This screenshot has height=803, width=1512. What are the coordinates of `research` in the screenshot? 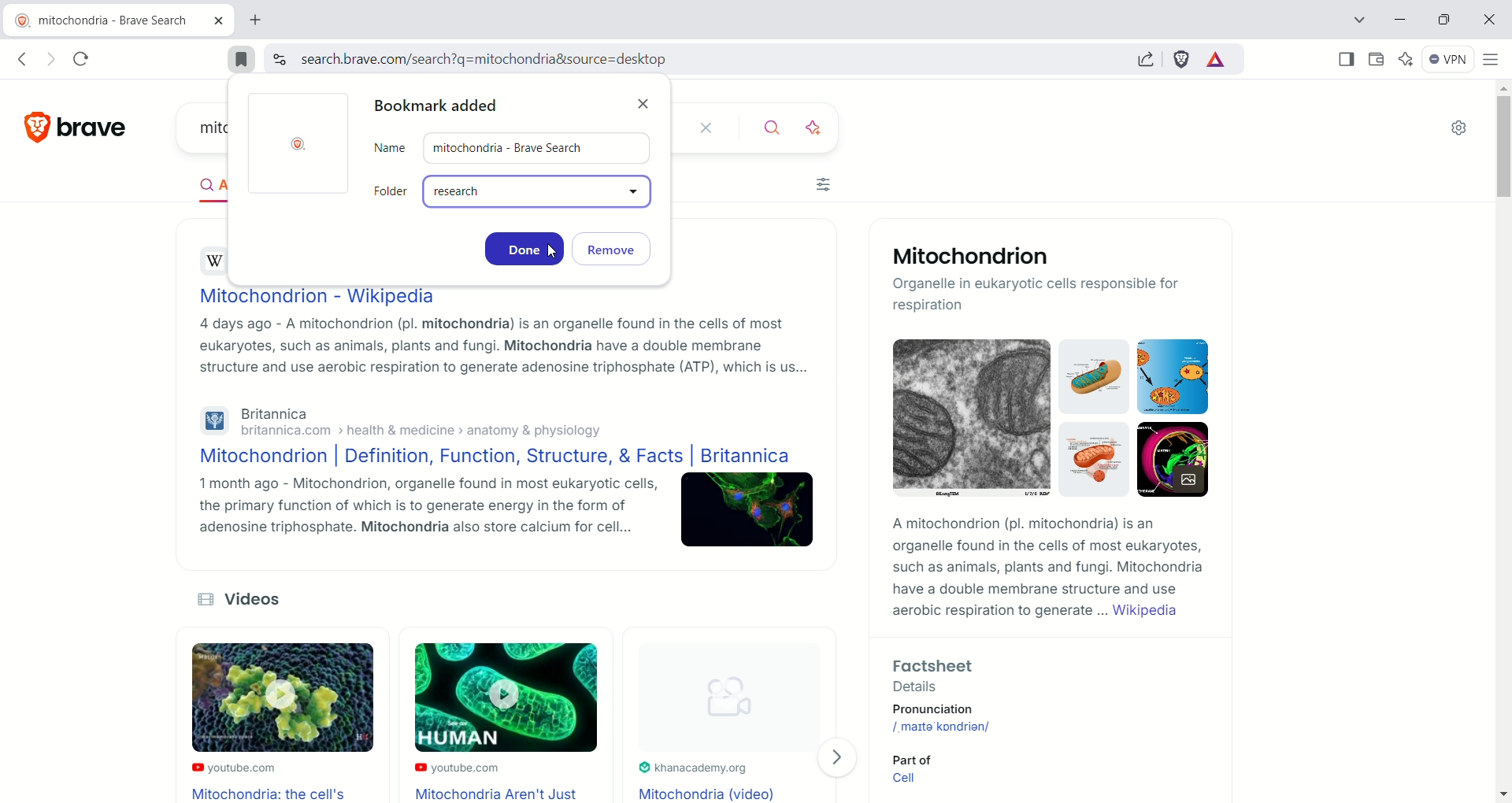 It's located at (541, 194).